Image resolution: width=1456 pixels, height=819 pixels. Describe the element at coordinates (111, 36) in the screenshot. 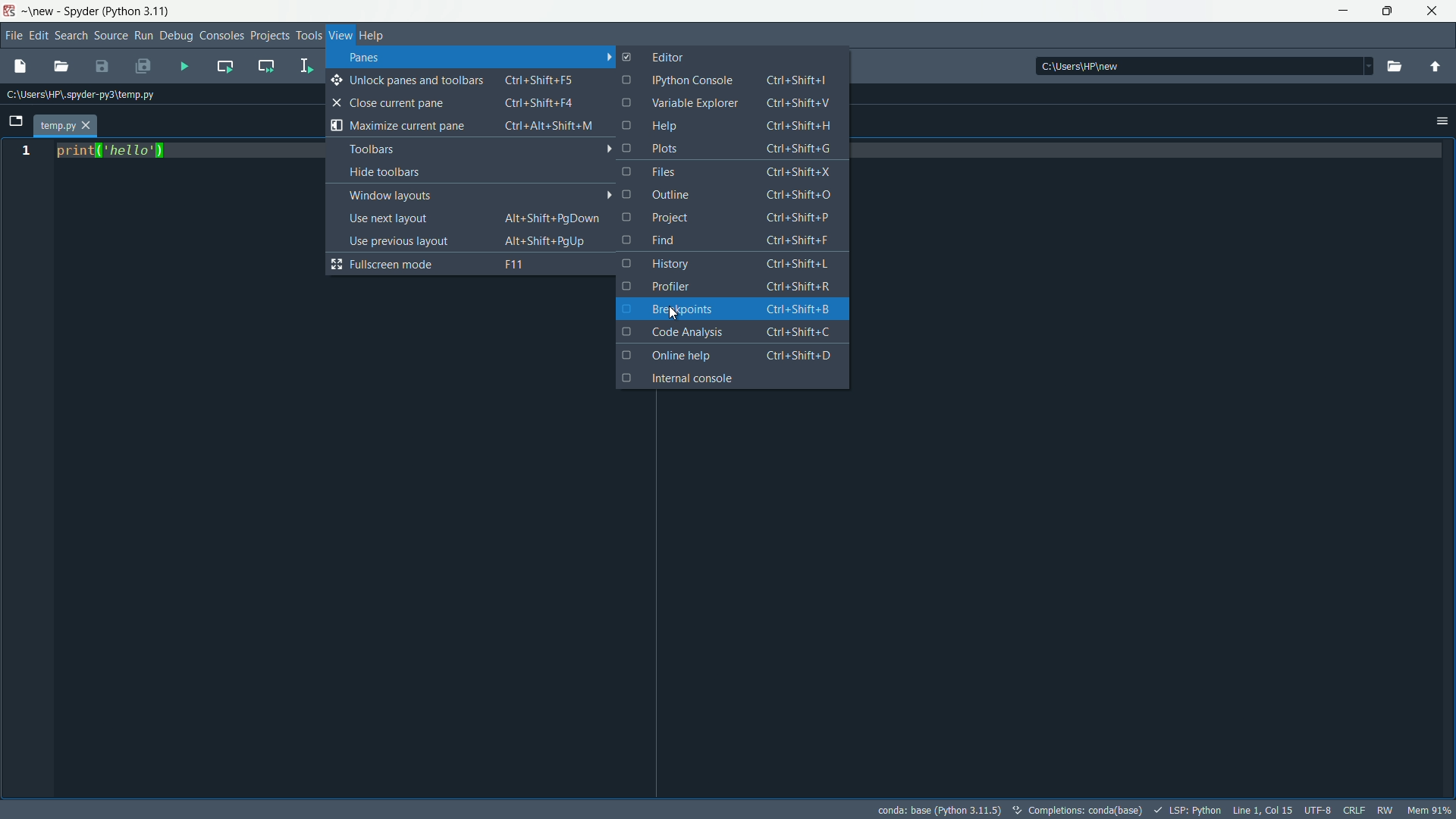

I see `source menu` at that location.